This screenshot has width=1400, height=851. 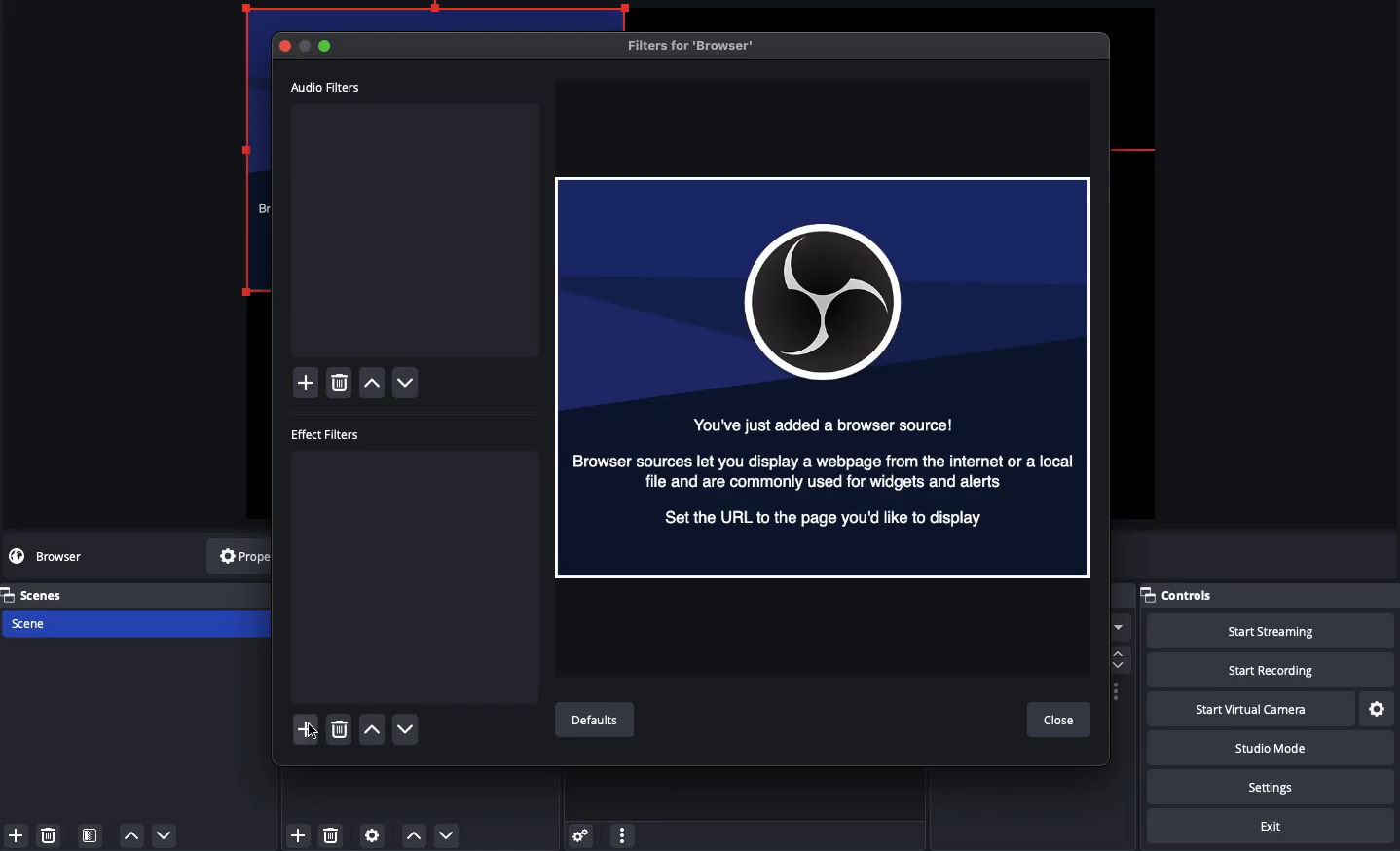 I want to click on Settings, so click(x=1376, y=710).